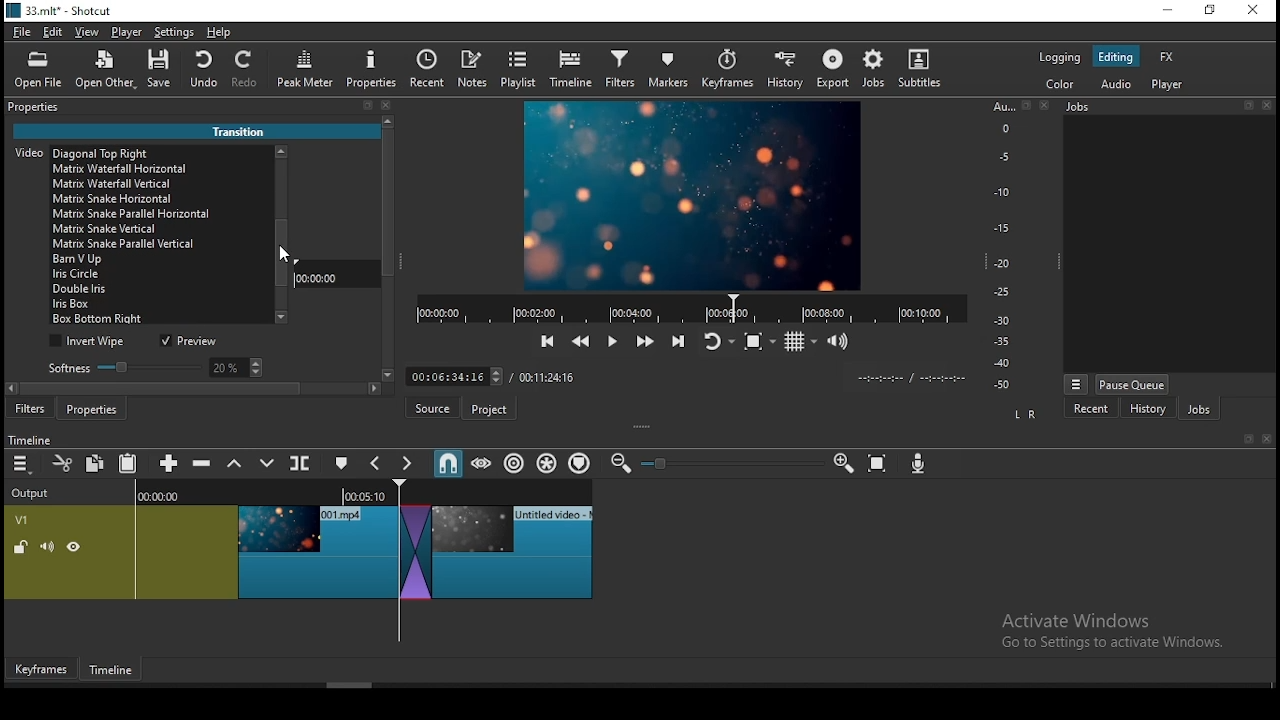 This screenshot has height=720, width=1280. What do you see at coordinates (96, 409) in the screenshot?
I see `properties` at bounding box center [96, 409].